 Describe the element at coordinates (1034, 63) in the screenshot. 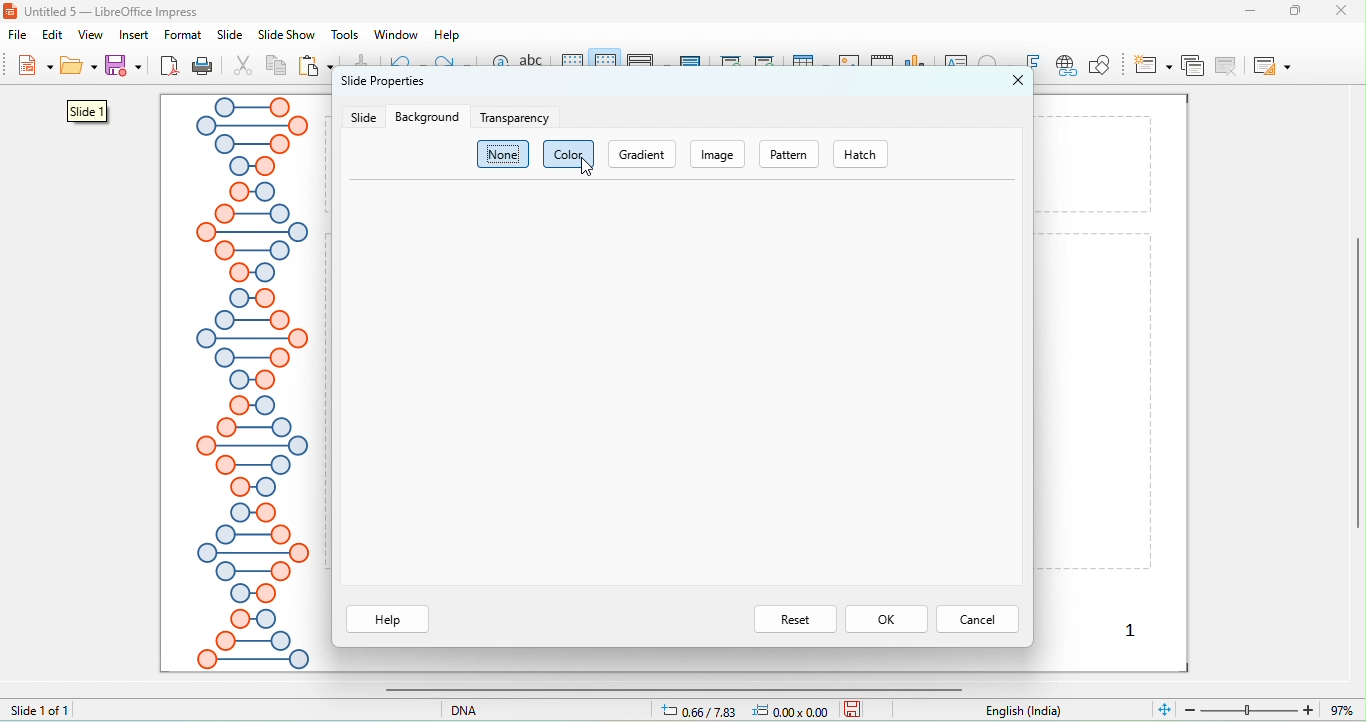

I see `fontwork text` at that location.